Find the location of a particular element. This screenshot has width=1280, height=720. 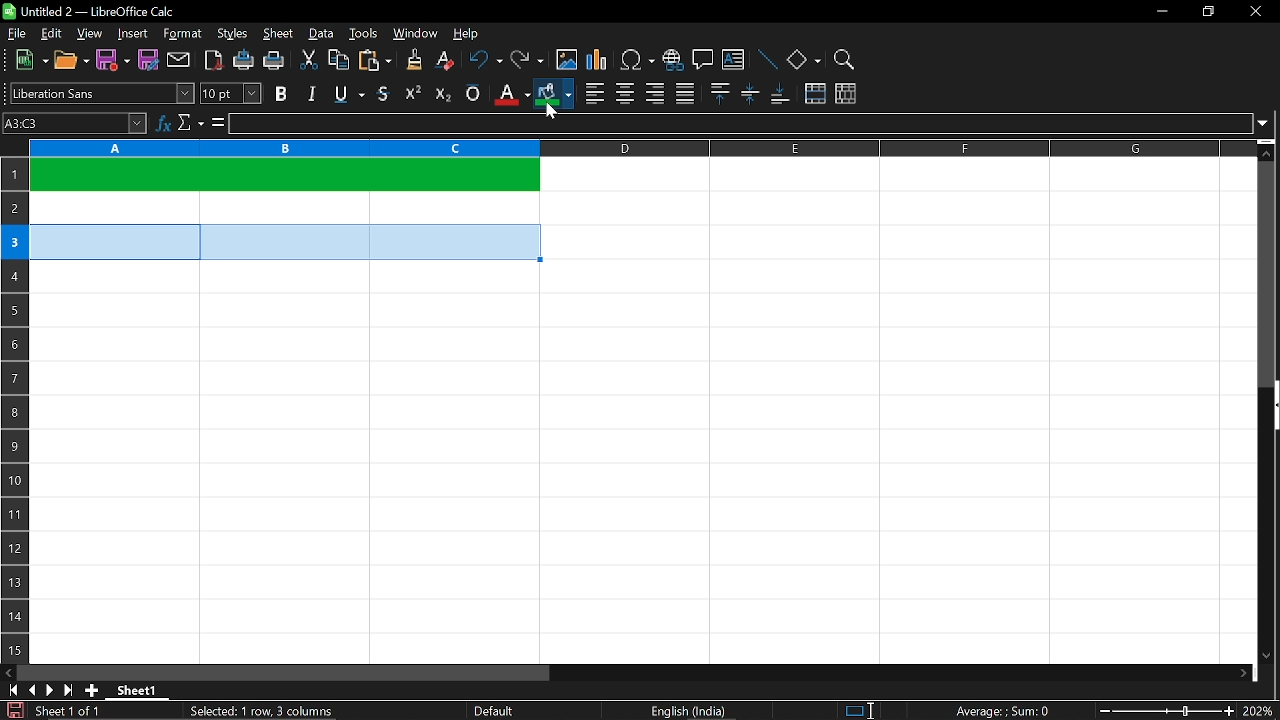

current zoom is located at coordinates (1260, 712).